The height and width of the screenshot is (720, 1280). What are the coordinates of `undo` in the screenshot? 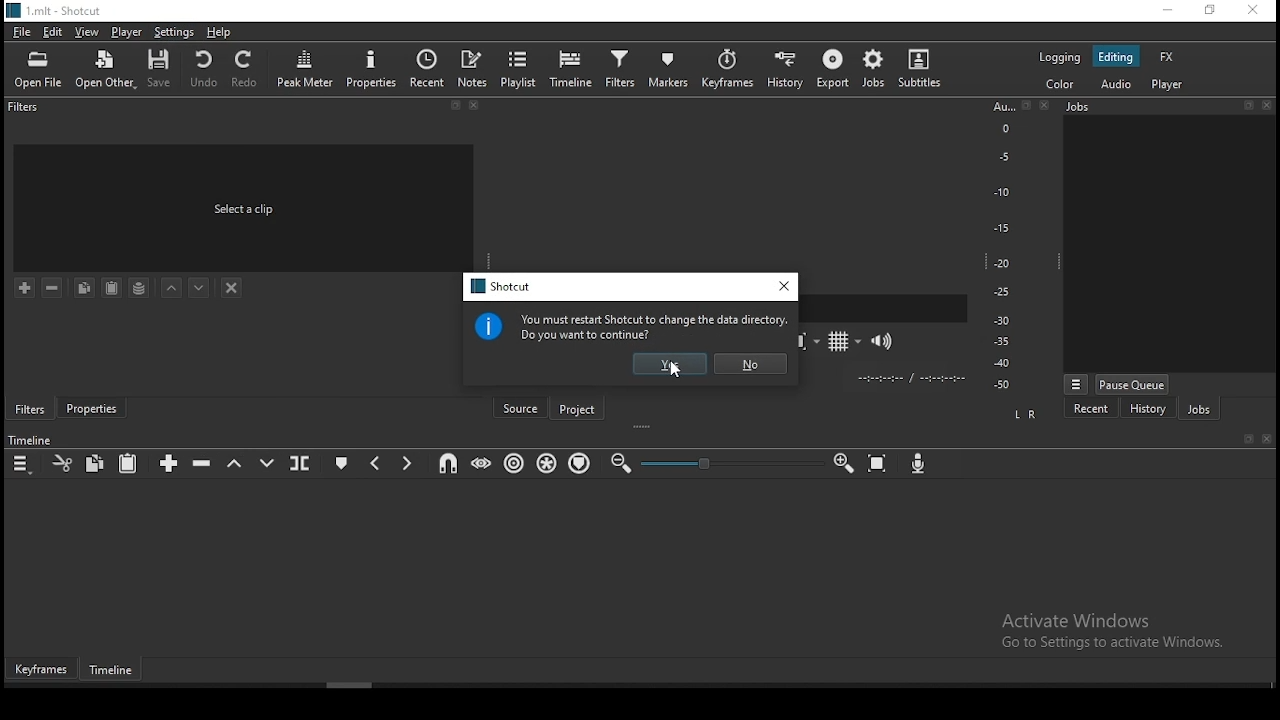 It's located at (205, 69).